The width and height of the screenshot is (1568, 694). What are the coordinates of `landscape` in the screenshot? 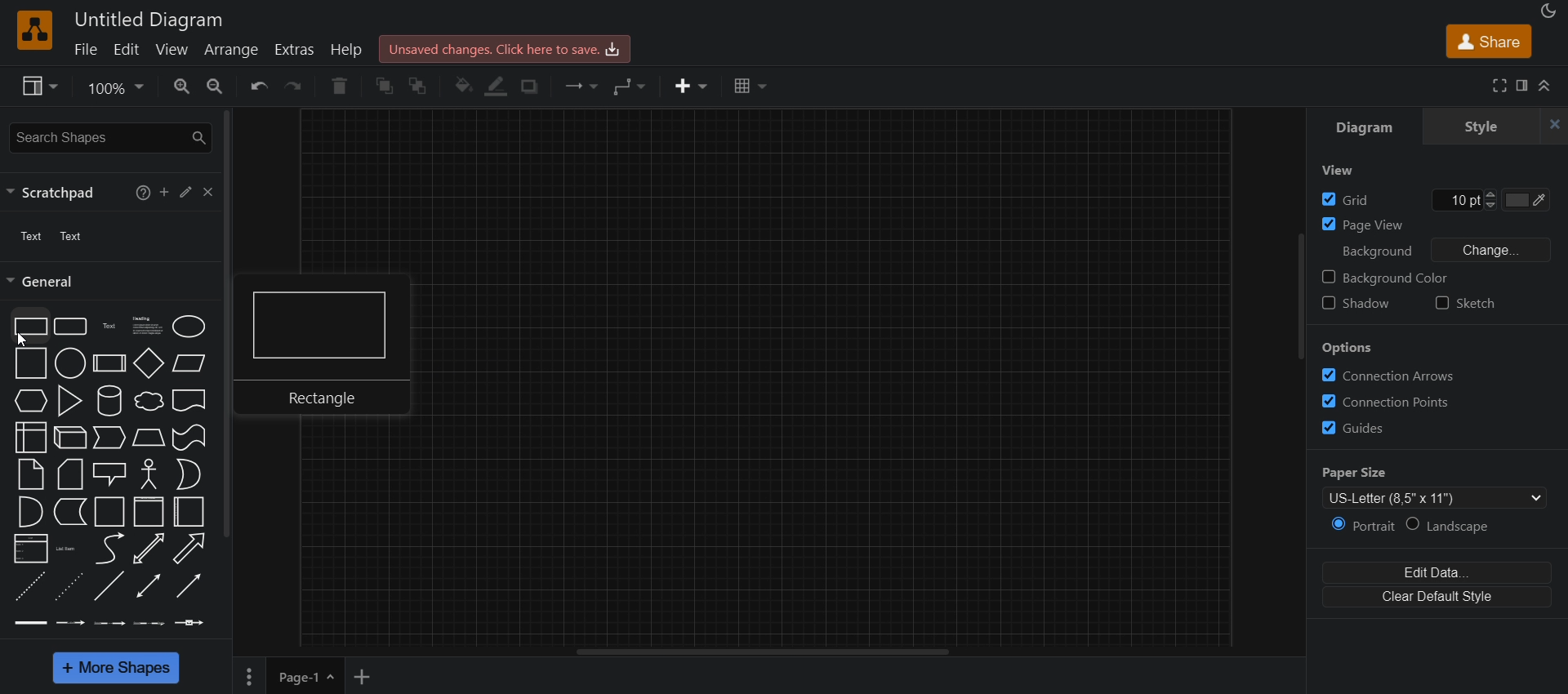 It's located at (1450, 526).